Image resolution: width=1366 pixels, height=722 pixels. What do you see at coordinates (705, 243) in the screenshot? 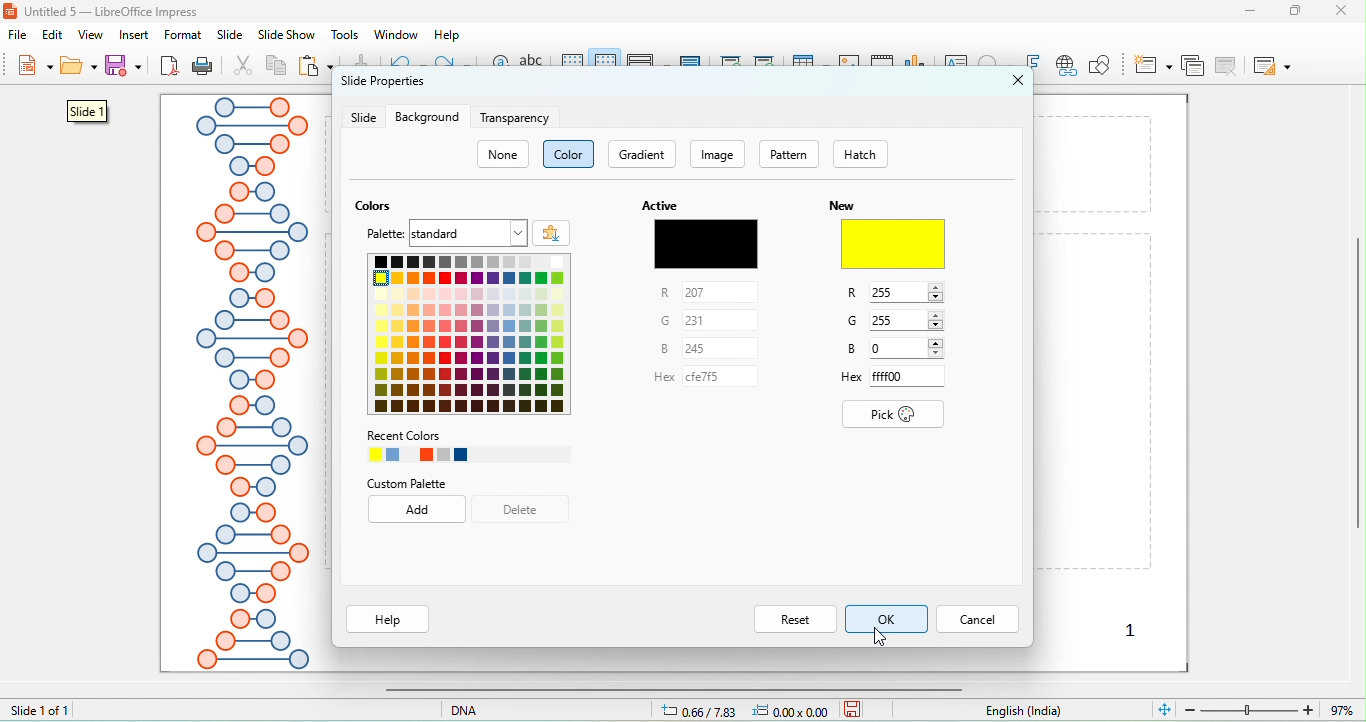
I see `black` at bounding box center [705, 243].